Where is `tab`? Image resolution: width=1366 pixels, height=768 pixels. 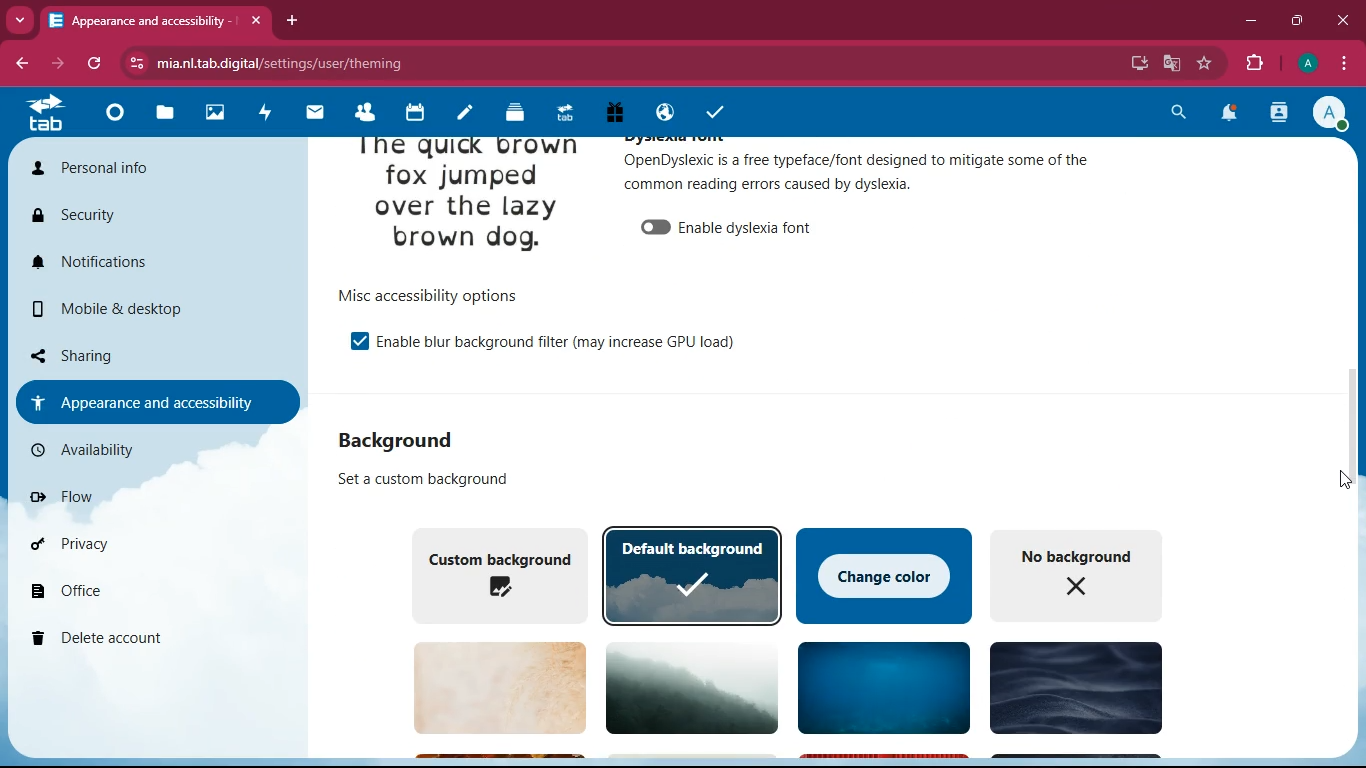 tab is located at coordinates (561, 113).